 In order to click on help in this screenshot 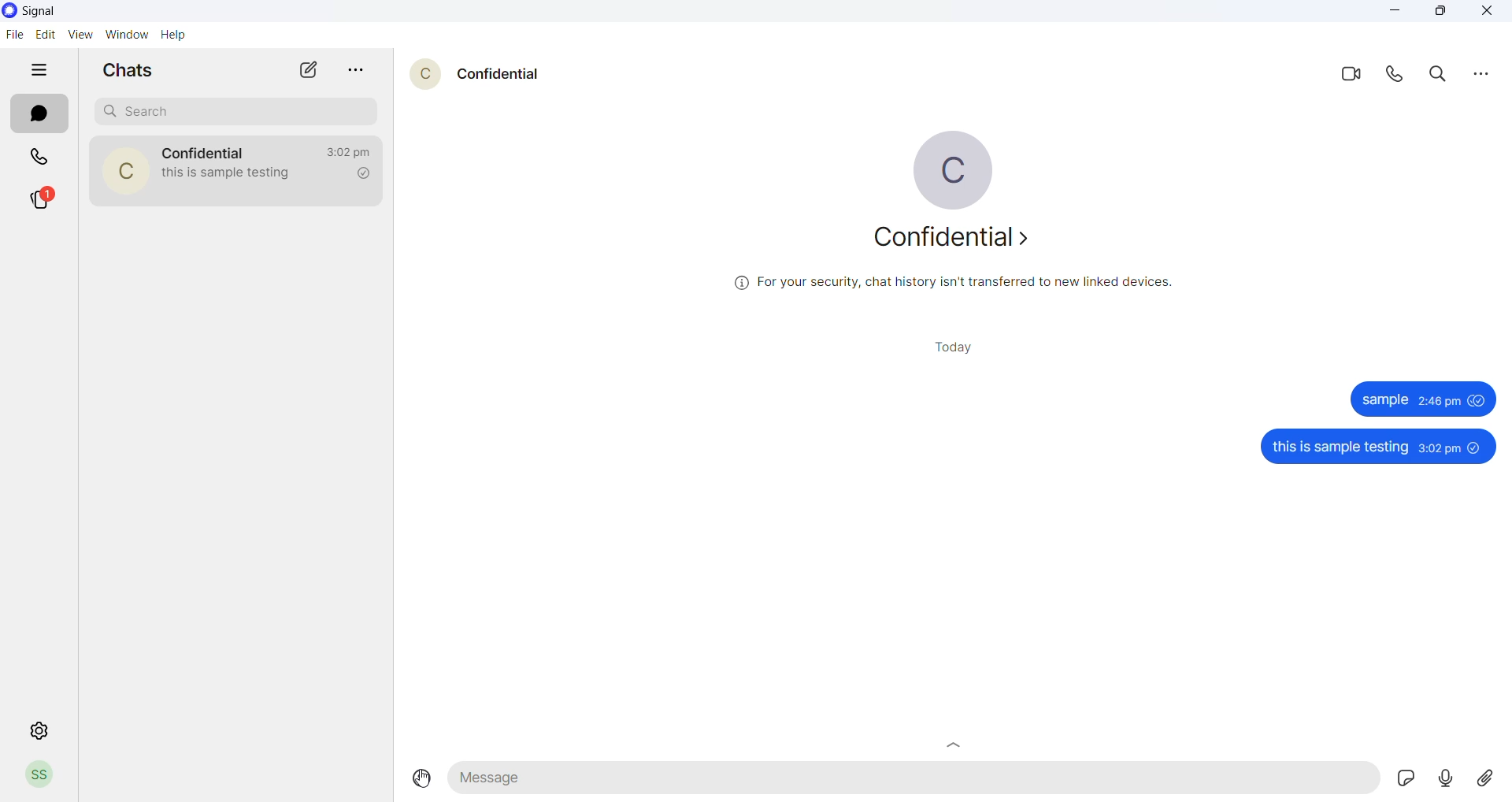, I will do `click(176, 35)`.